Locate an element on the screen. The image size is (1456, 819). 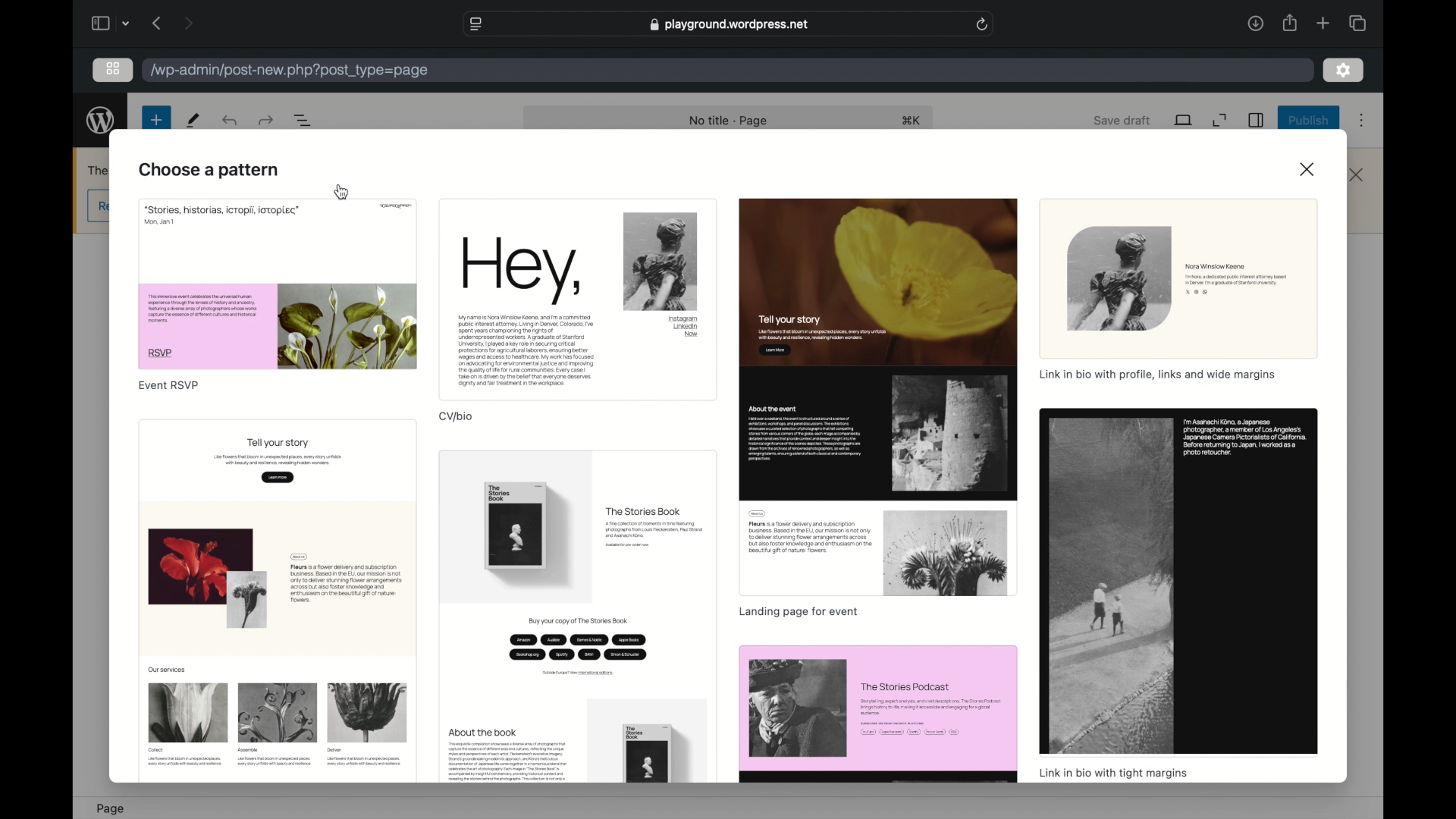
share is located at coordinates (1291, 24).